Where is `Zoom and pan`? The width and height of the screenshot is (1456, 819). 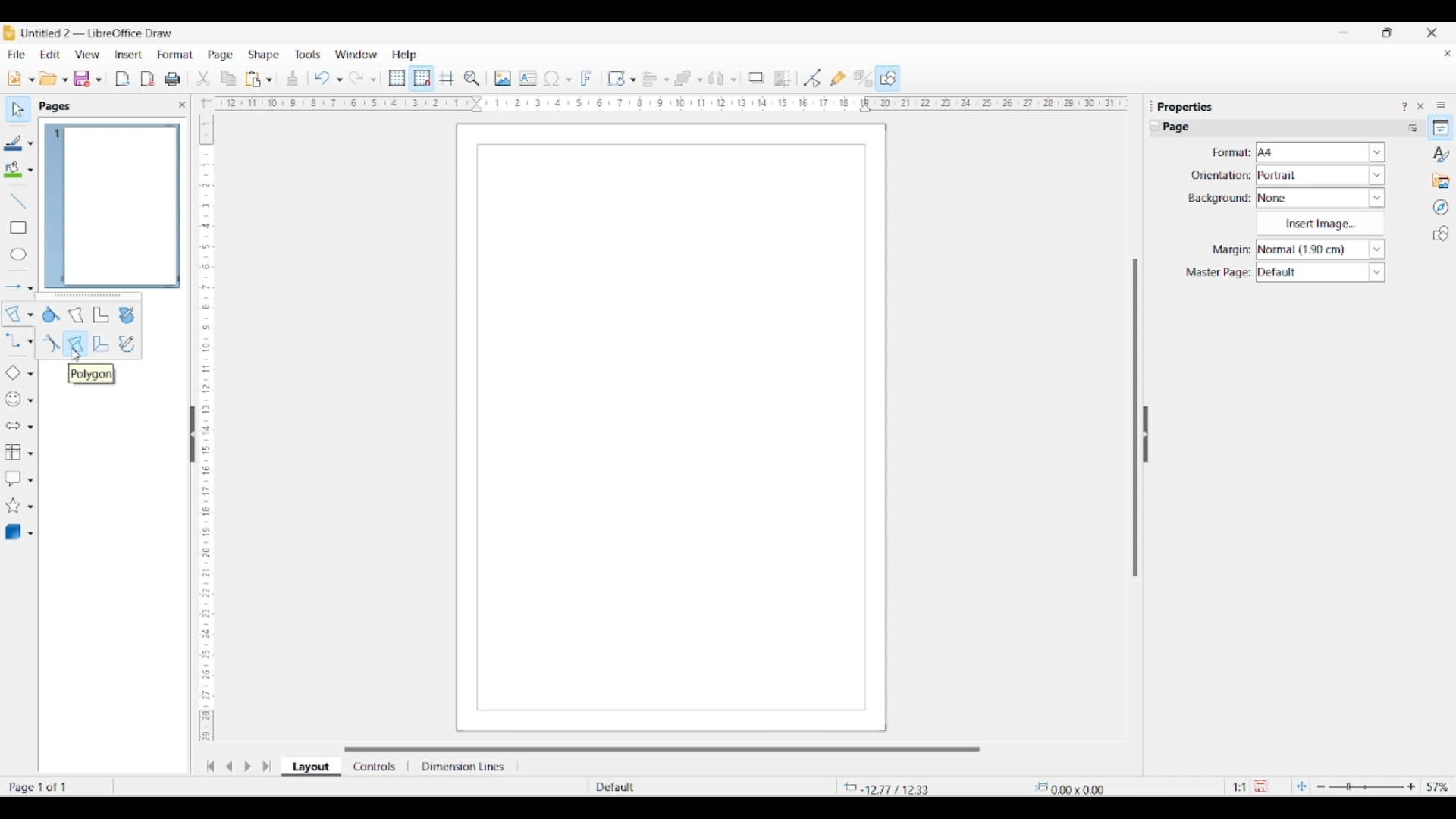 Zoom and pan is located at coordinates (472, 79).